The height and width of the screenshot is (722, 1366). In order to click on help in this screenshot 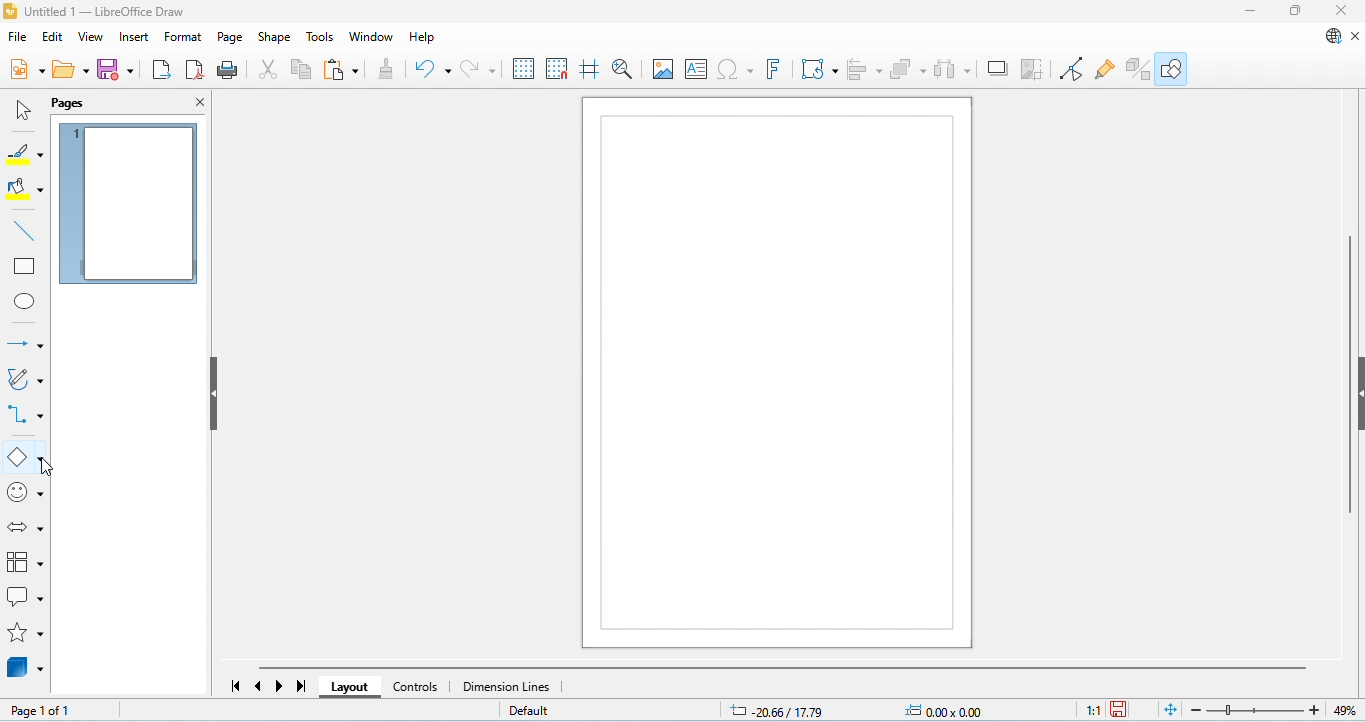, I will do `click(423, 37)`.